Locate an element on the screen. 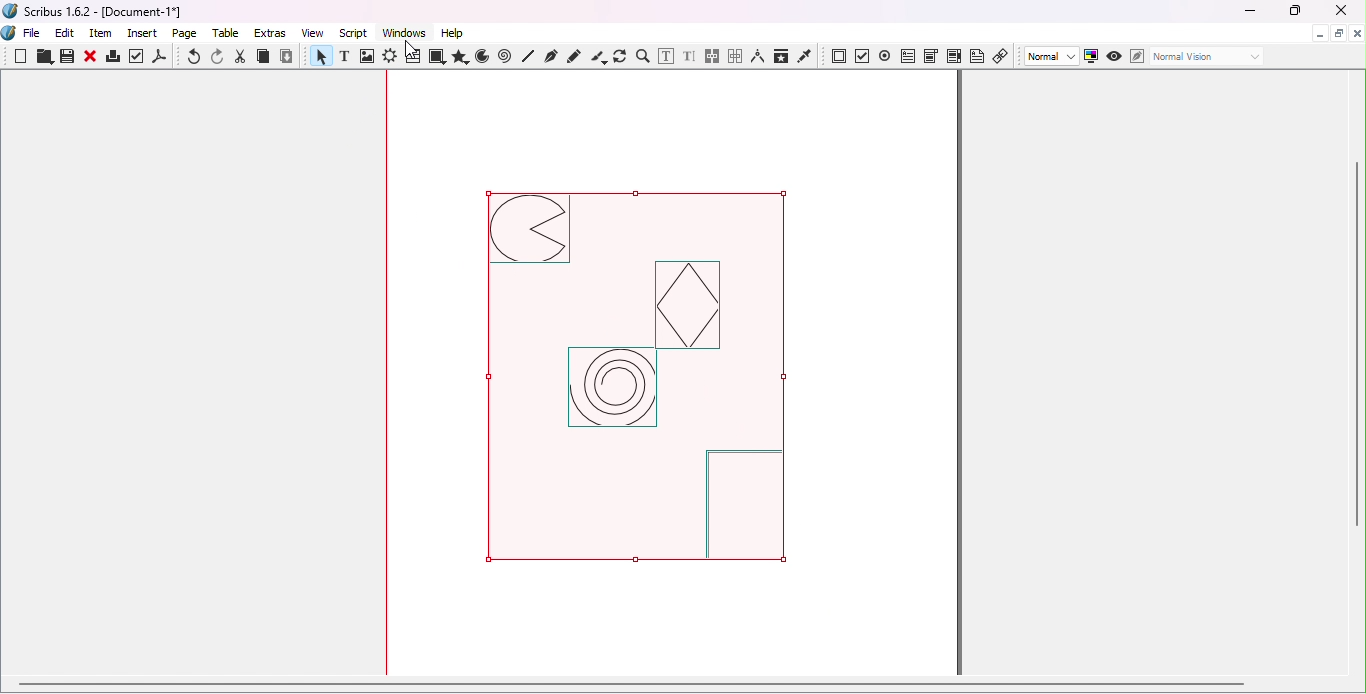 Image resolution: width=1366 pixels, height=694 pixels. PDF radio button is located at coordinates (885, 55).